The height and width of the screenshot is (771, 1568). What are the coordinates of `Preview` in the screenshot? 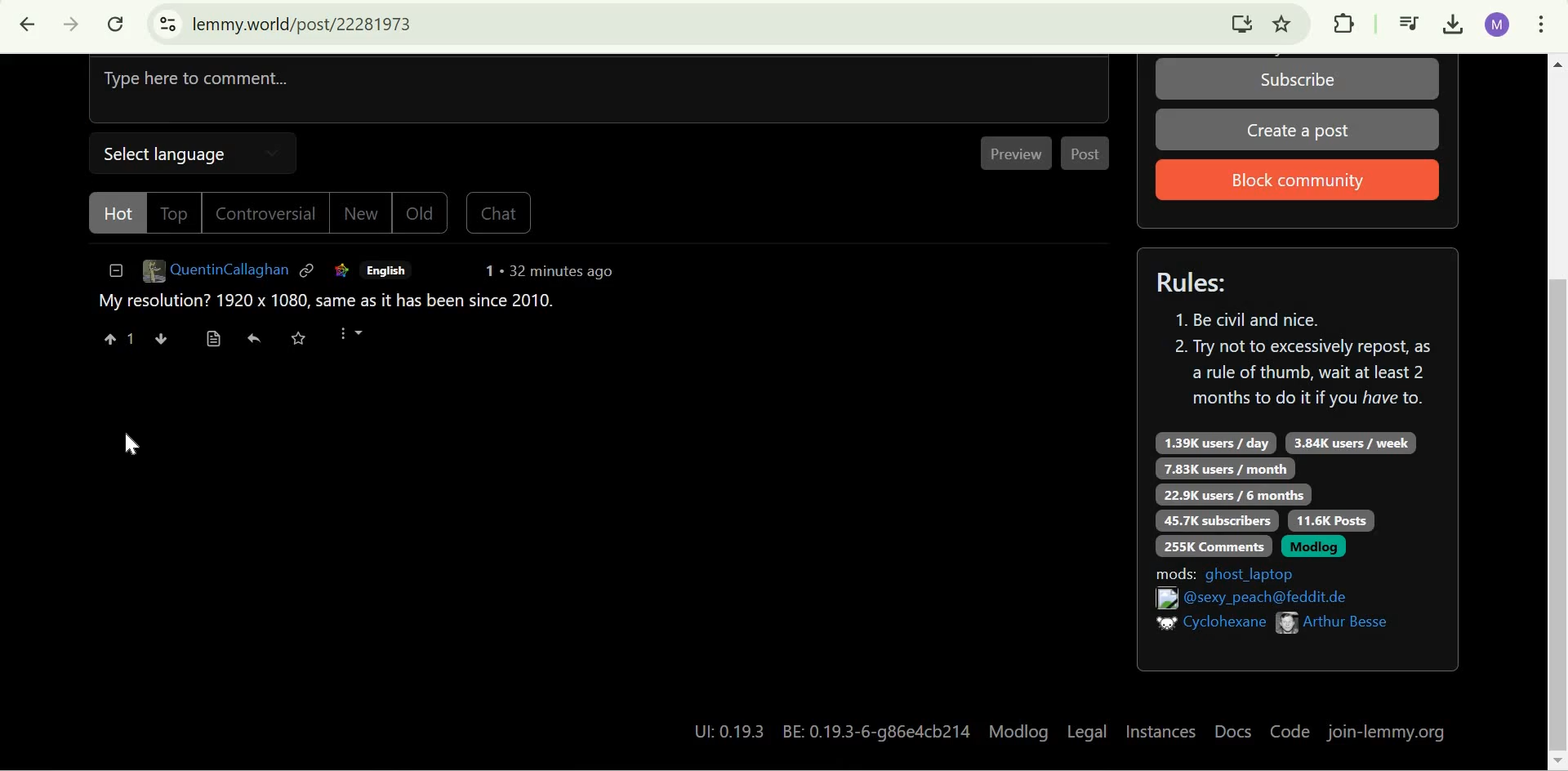 It's located at (1017, 152).